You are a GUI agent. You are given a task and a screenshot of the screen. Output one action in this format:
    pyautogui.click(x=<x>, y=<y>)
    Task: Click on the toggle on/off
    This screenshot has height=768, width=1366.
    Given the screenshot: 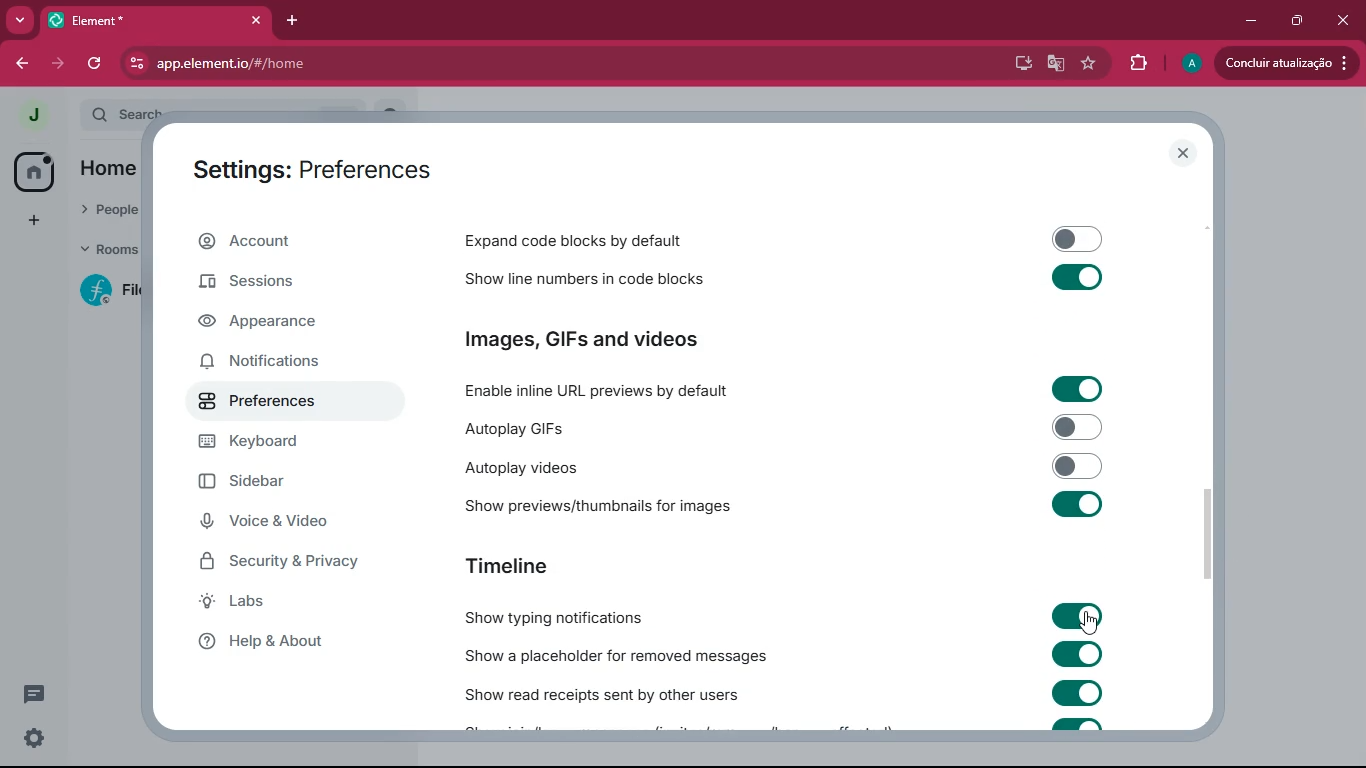 What is the action you would take?
    pyautogui.click(x=1078, y=466)
    